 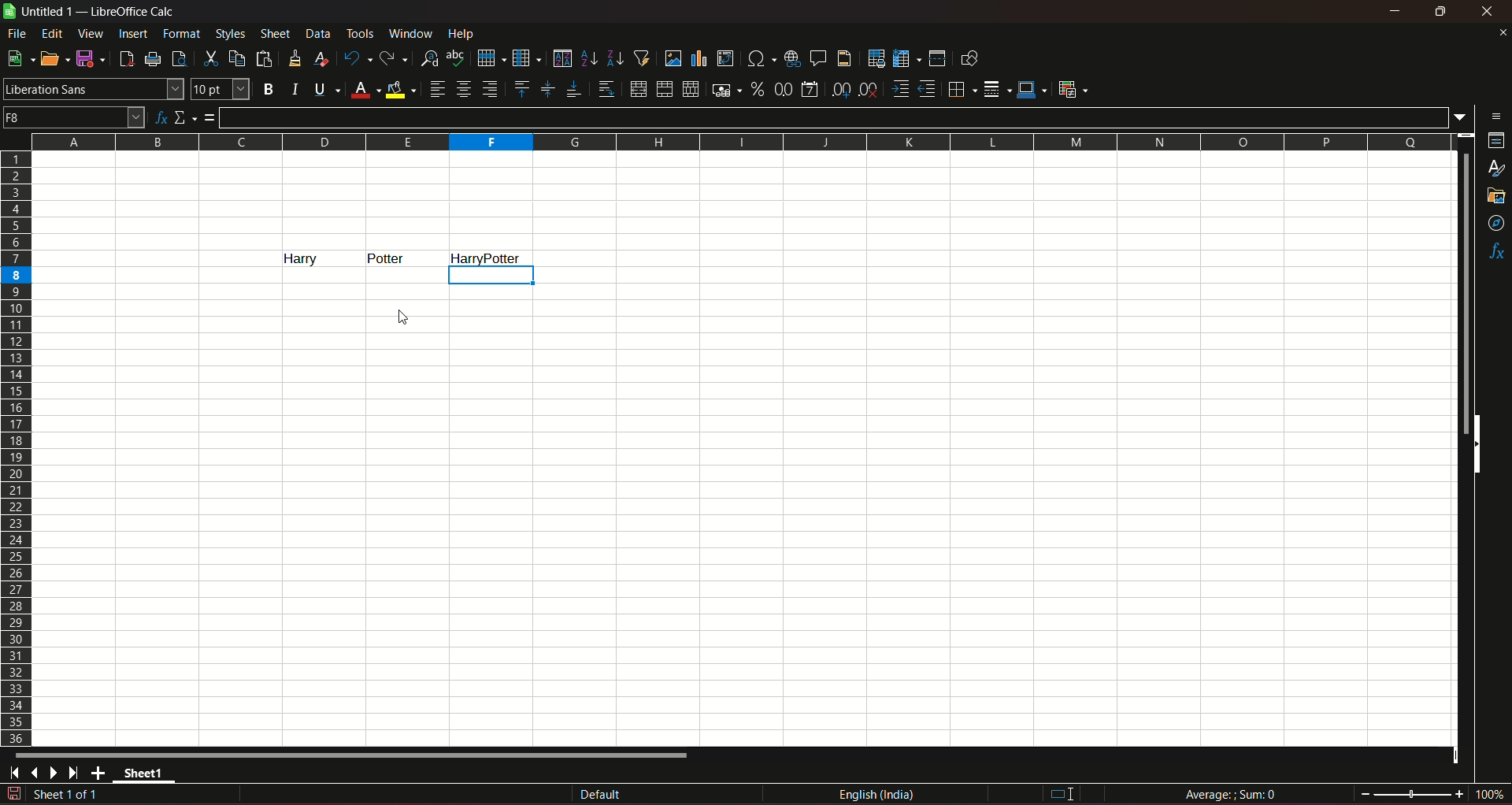 I want to click on rows, so click(x=17, y=447).